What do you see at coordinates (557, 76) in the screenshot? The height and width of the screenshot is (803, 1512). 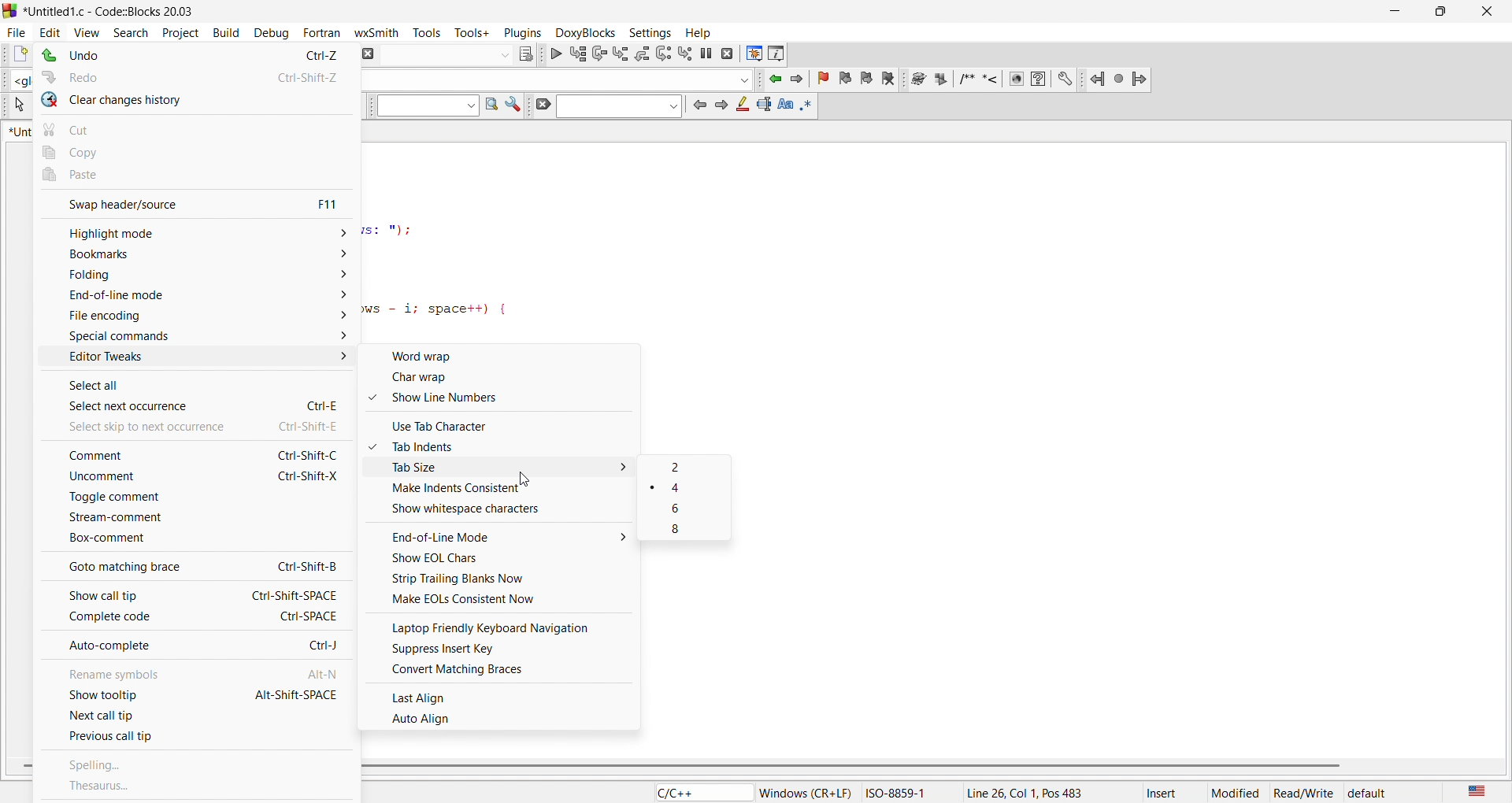 I see `input box` at bounding box center [557, 76].